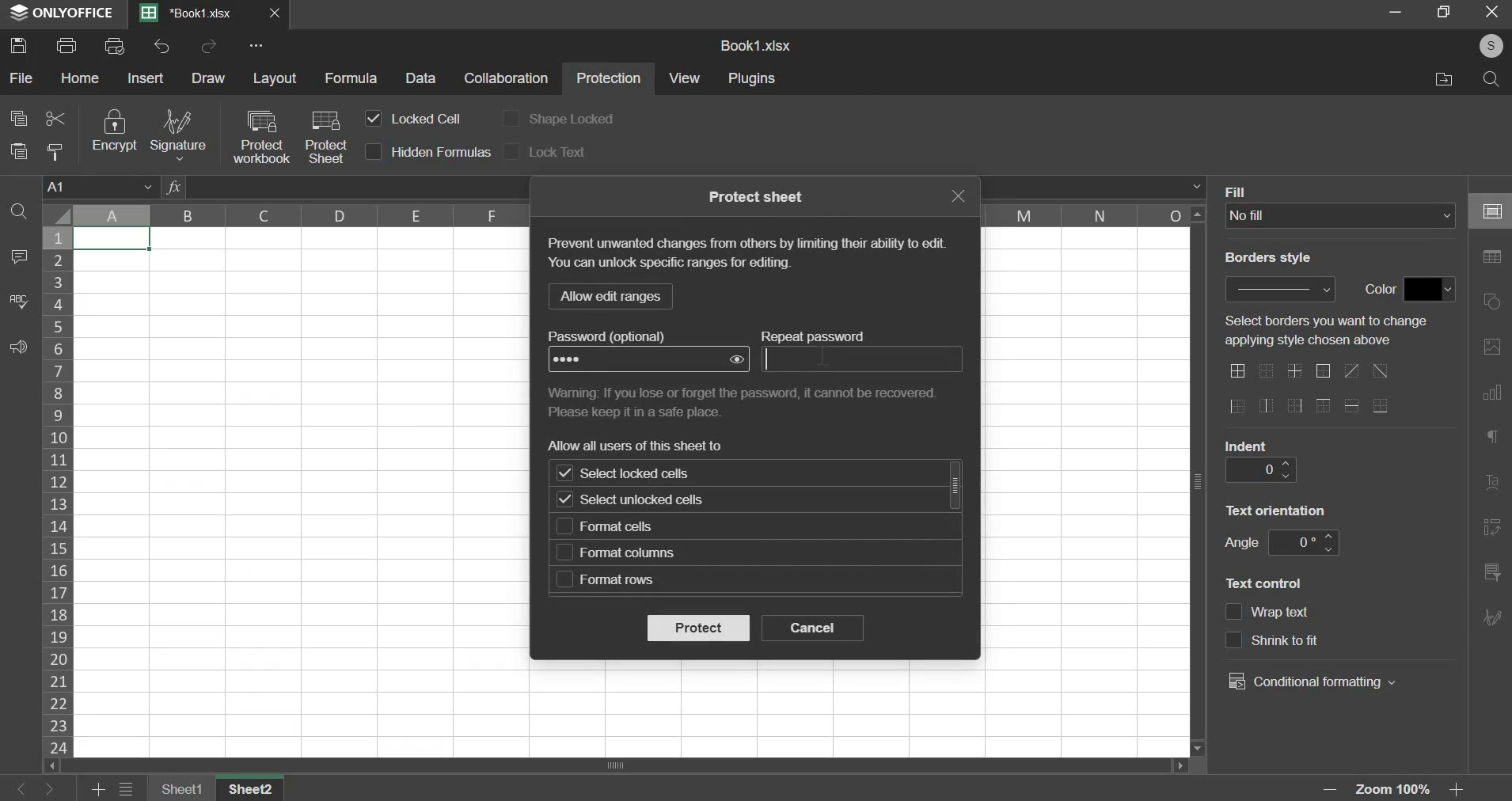 This screenshot has width=1512, height=801. I want to click on Profile Pic, so click(1486, 47).